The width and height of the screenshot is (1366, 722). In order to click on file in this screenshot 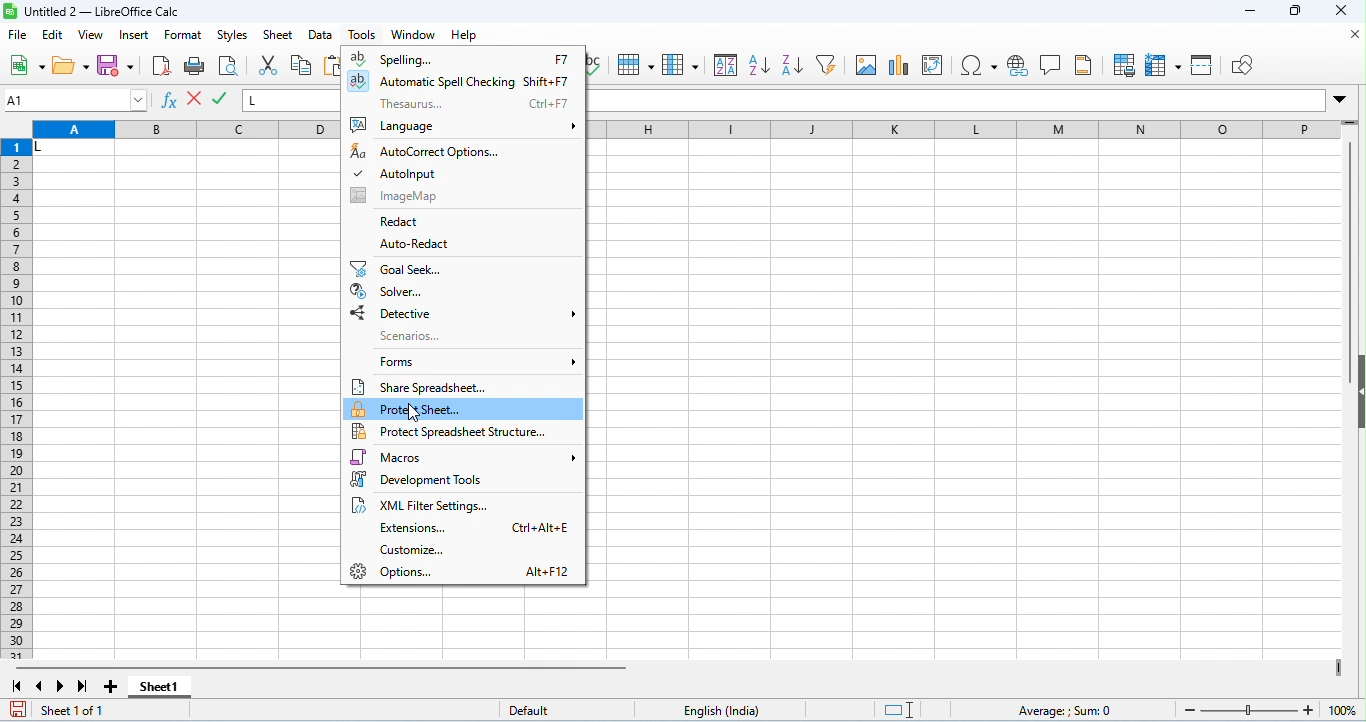, I will do `click(19, 36)`.